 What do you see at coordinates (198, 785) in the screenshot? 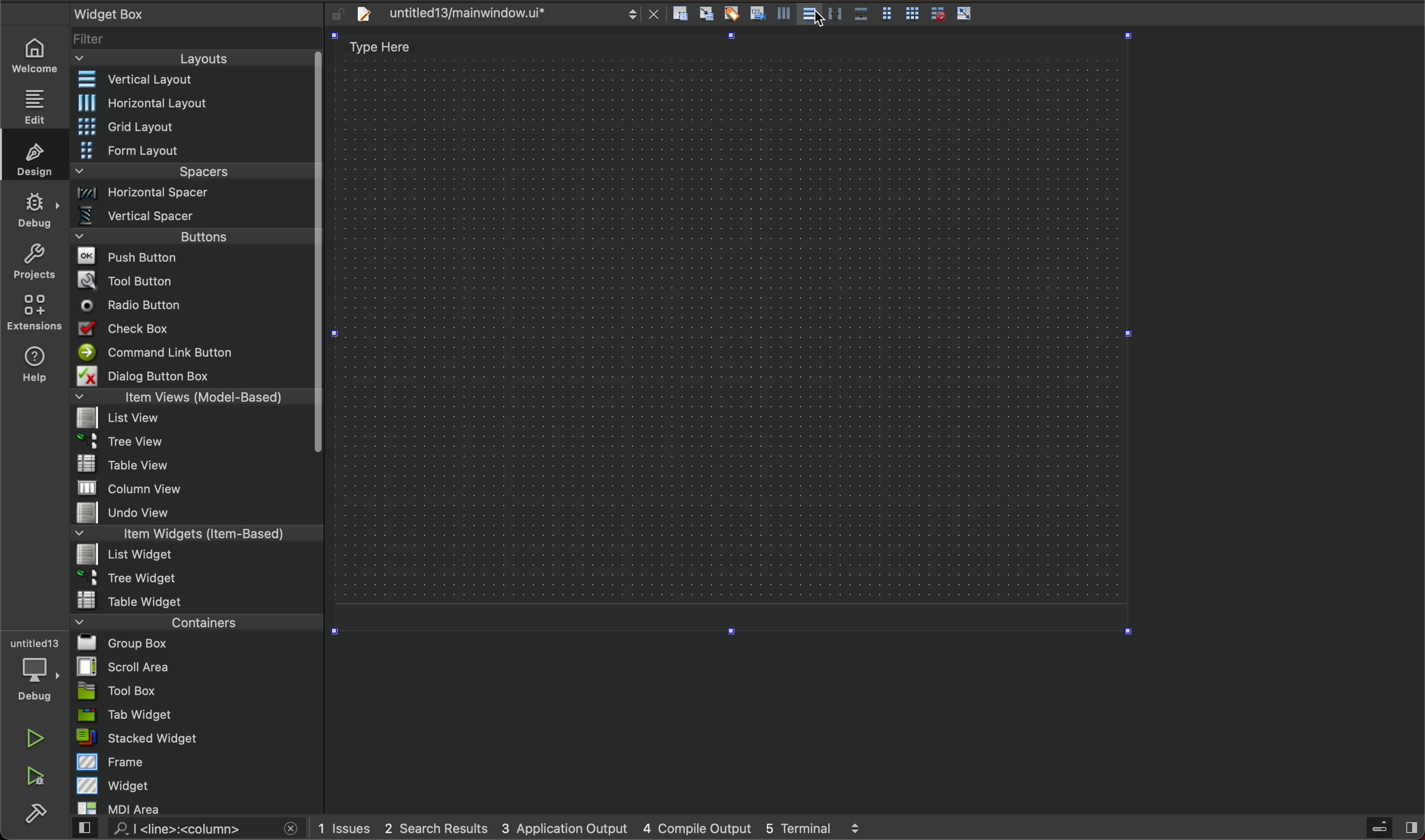
I see `widget` at bounding box center [198, 785].